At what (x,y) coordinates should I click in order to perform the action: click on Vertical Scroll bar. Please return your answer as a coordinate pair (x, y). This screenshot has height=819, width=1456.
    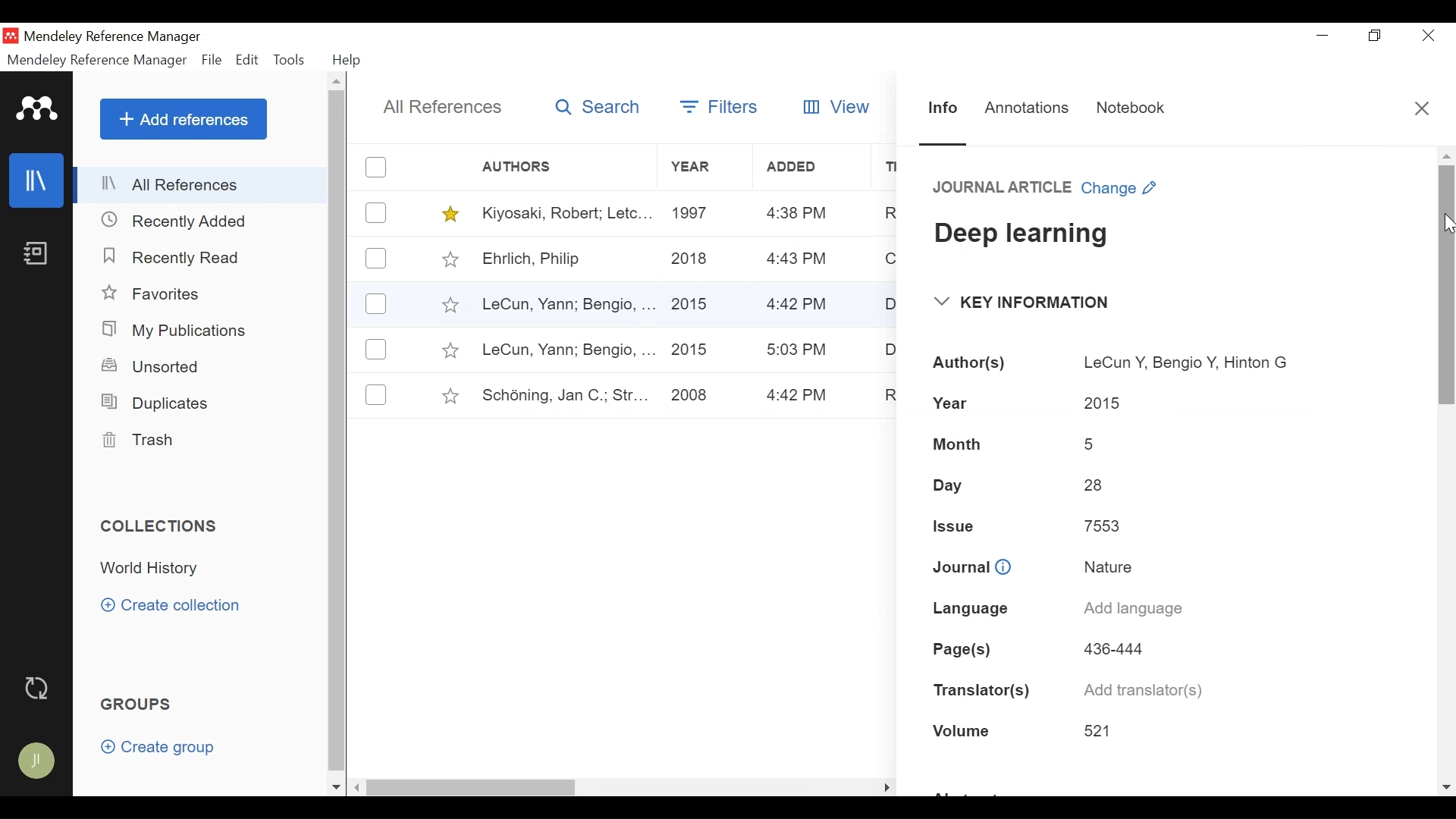
    Looking at the image, I should click on (340, 434).